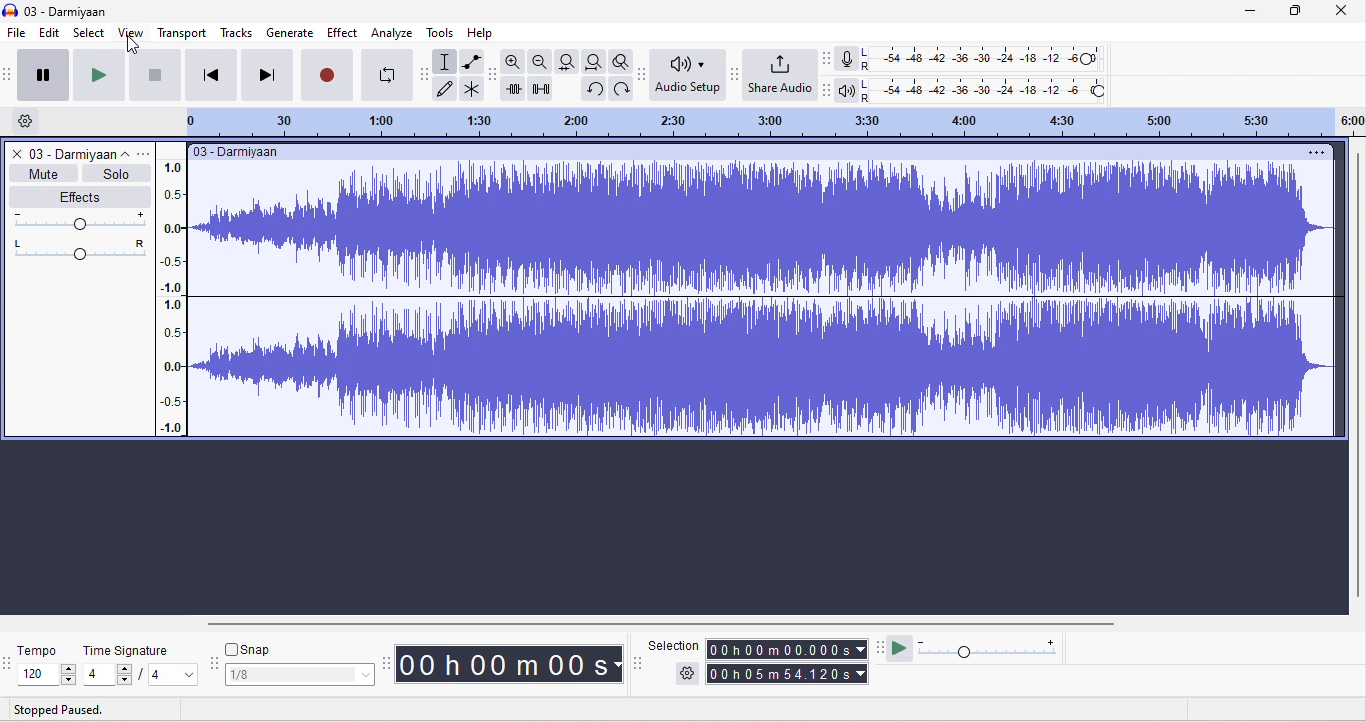 The image size is (1366, 722). What do you see at coordinates (593, 61) in the screenshot?
I see `fit to project width` at bounding box center [593, 61].